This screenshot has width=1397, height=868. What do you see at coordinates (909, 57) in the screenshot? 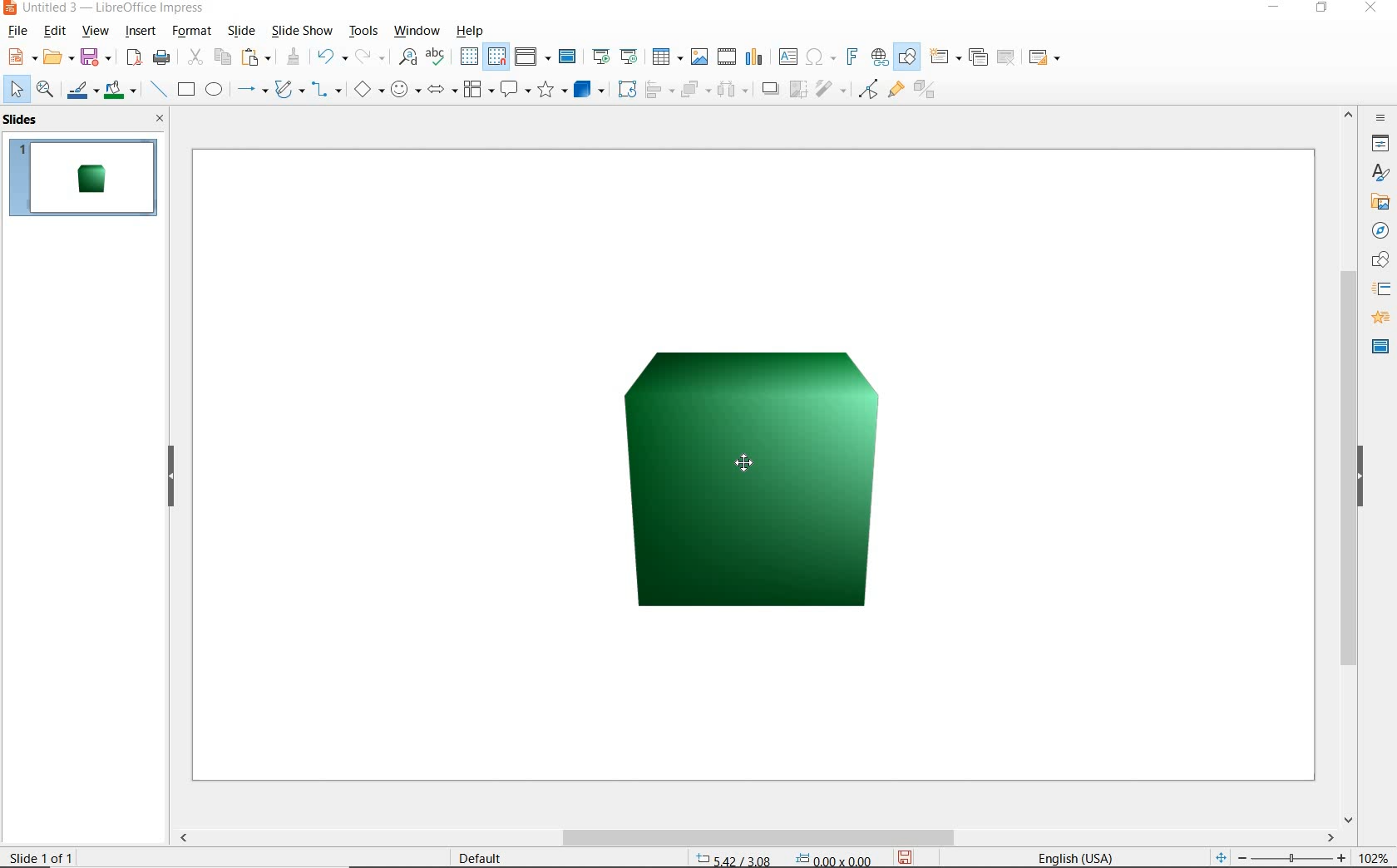
I see `show draw functions` at bounding box center [909, 57].